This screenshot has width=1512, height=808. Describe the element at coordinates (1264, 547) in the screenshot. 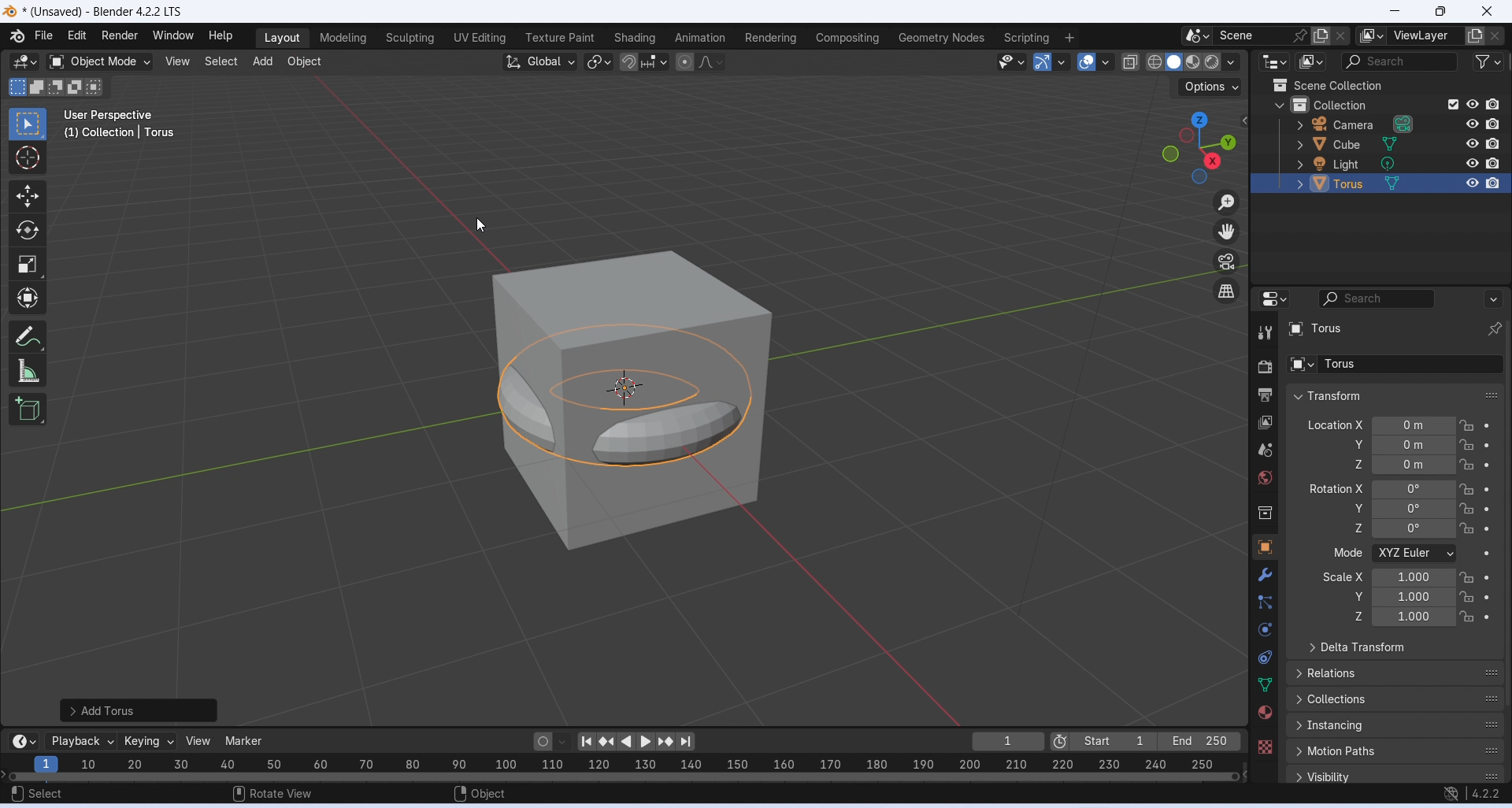

I see `Object` at that location.